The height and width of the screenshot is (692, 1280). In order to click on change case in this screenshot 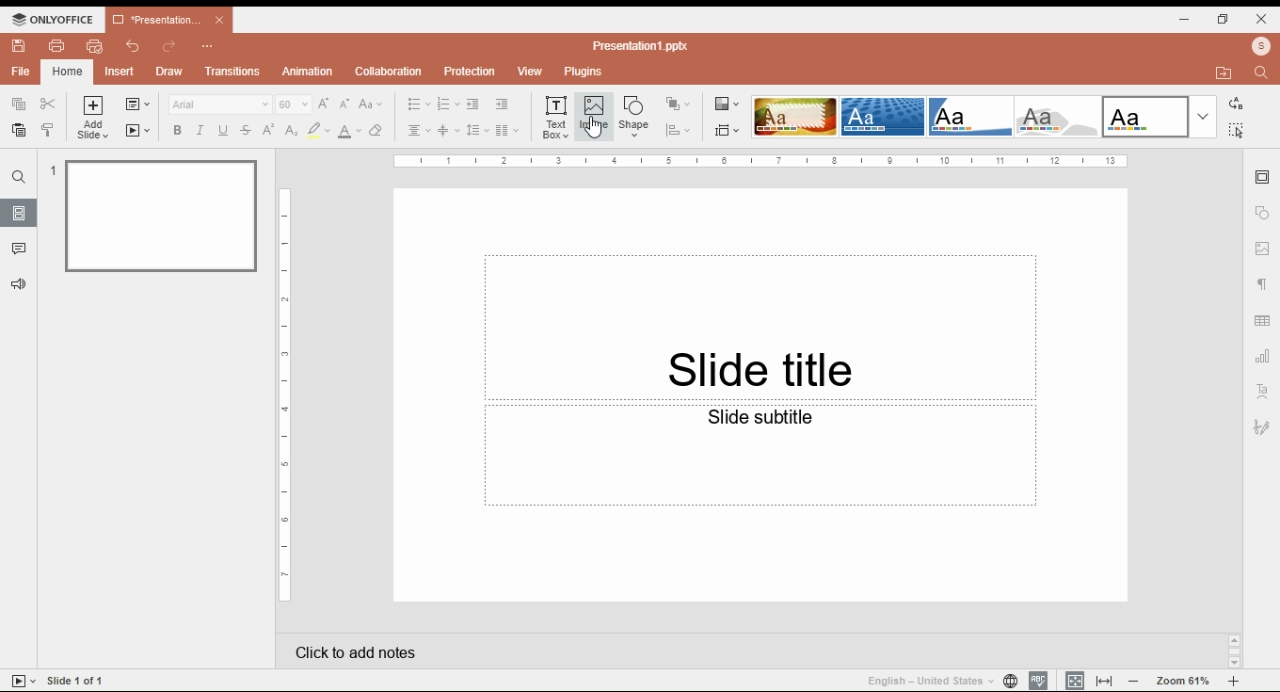, I will do `click(371, 104)`.